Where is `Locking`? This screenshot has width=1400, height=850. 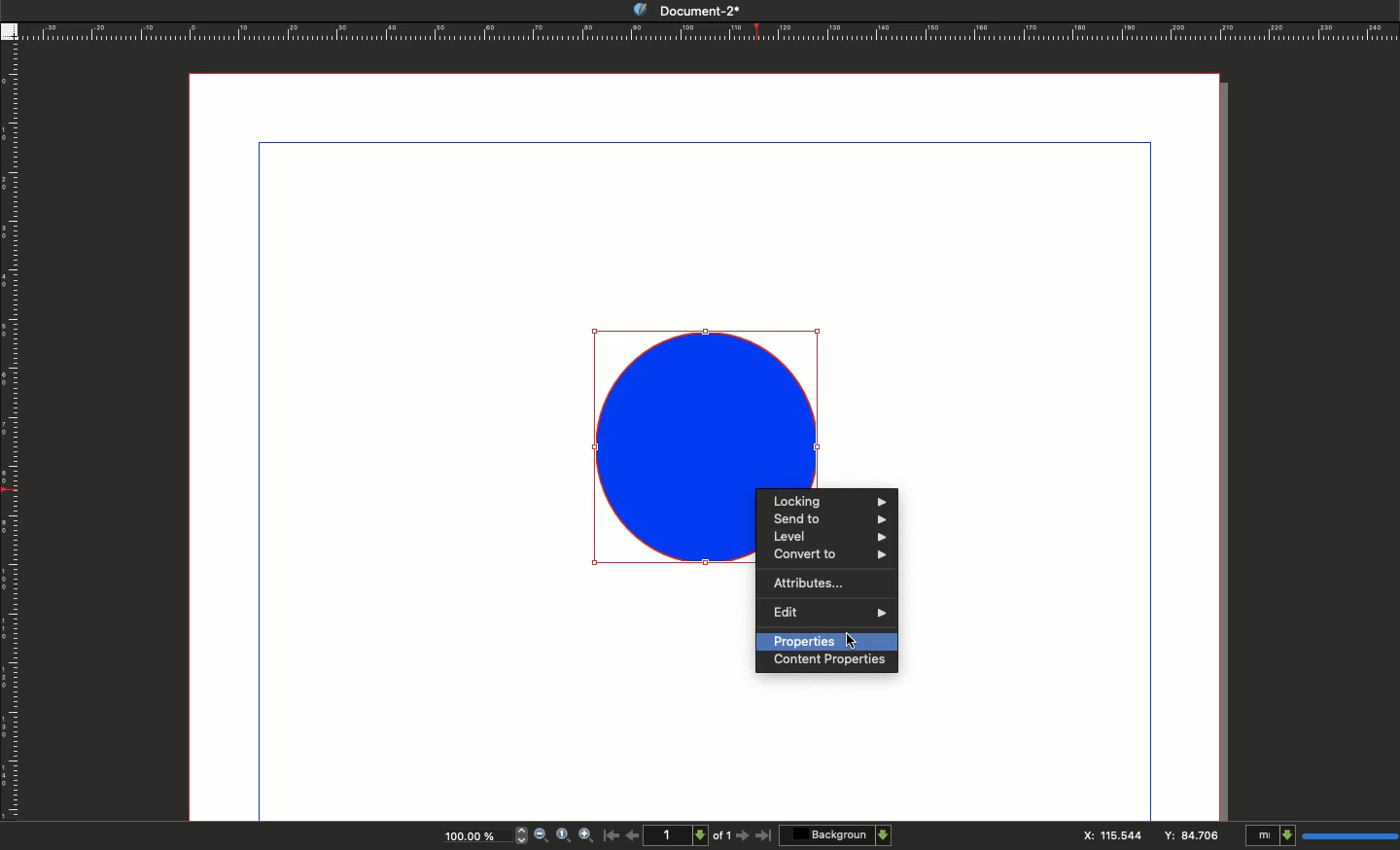
Locking is located at coordinates (830, 500).